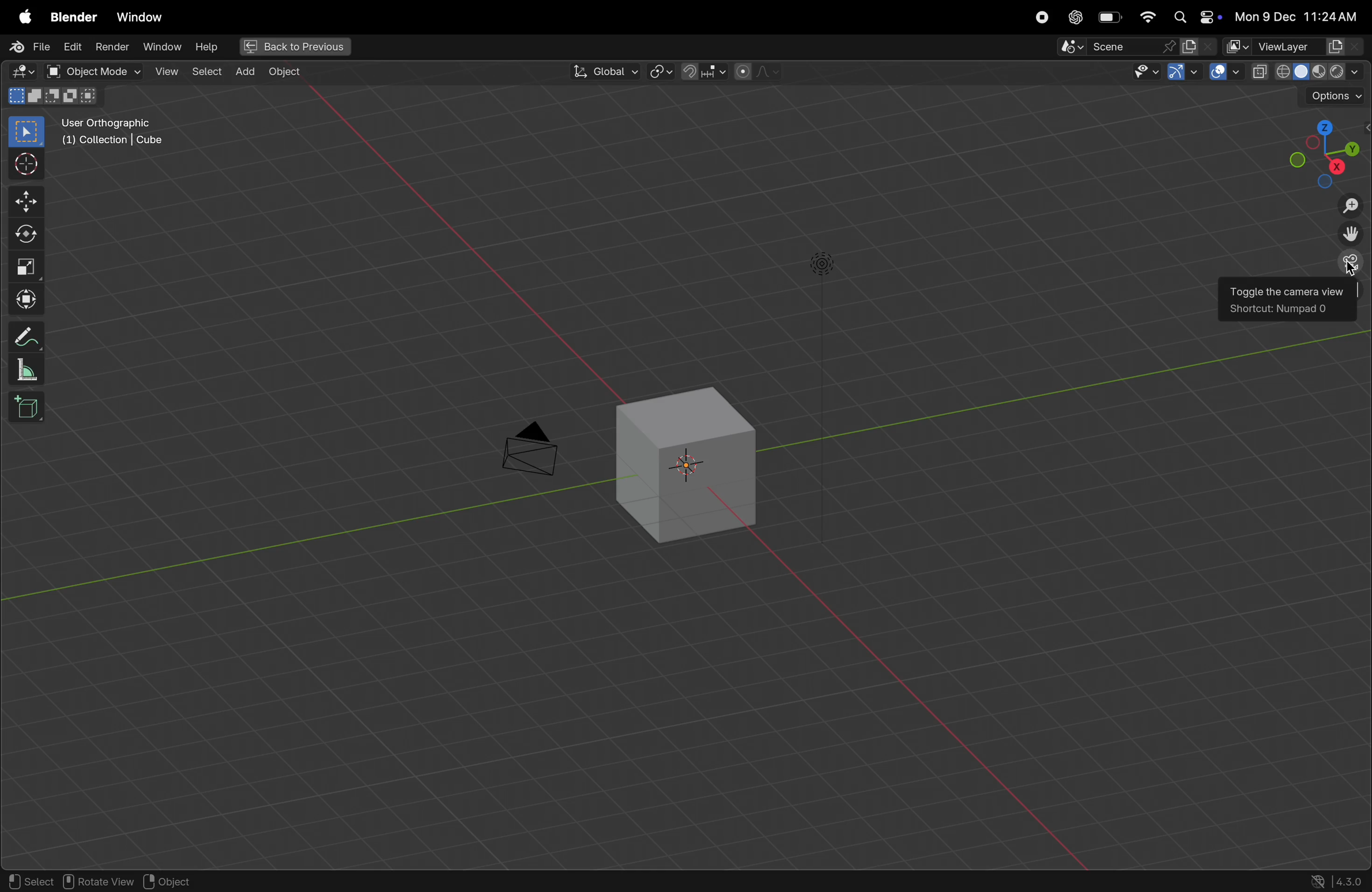 The width and height of the screenshot is (1372, 892). Describe the element at coordinates (1351, 264) in the screenshot. I see `perspective` at that location.